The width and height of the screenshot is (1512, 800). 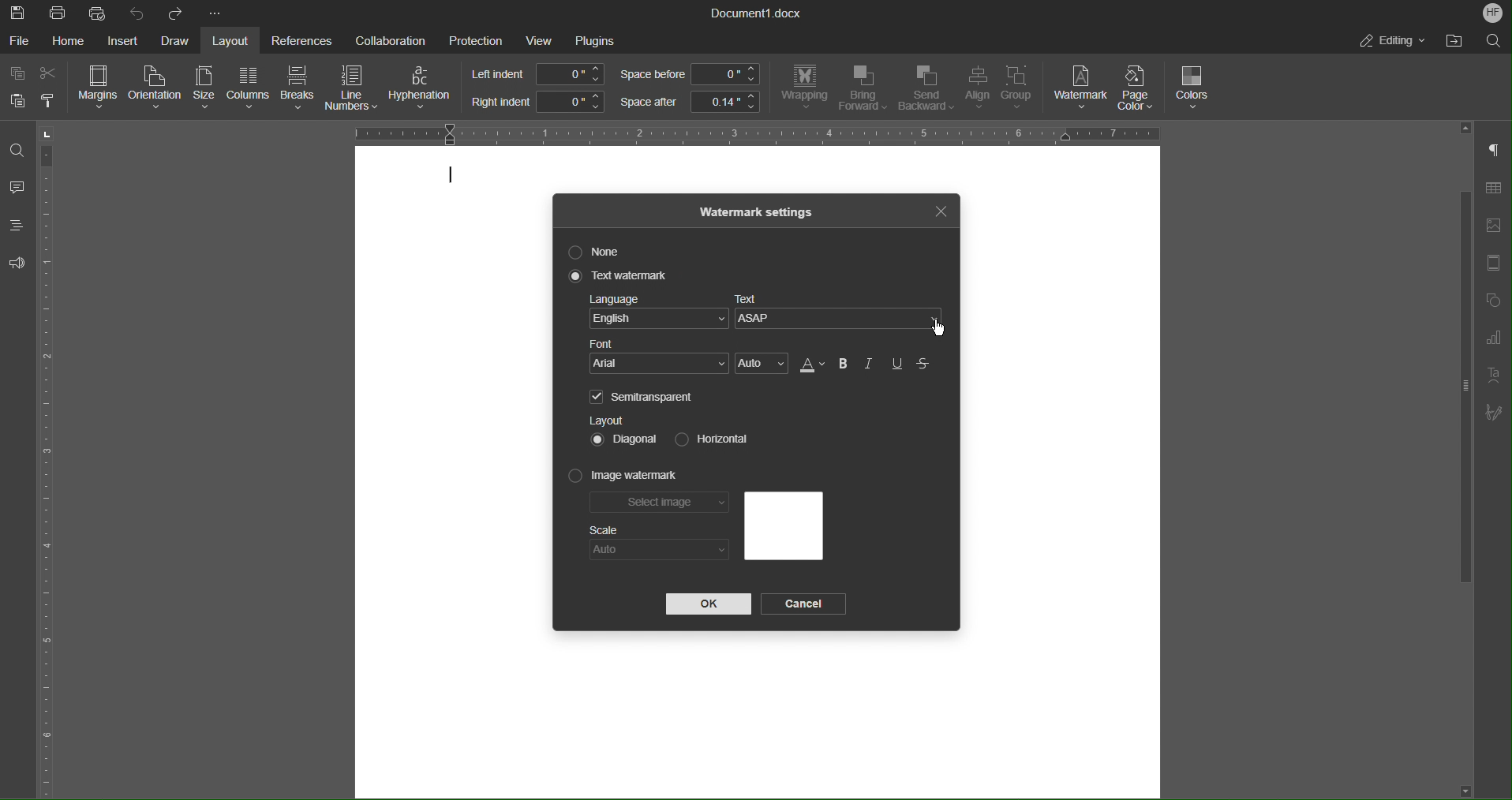 I want to click on Align, so click(x=976, y=89).